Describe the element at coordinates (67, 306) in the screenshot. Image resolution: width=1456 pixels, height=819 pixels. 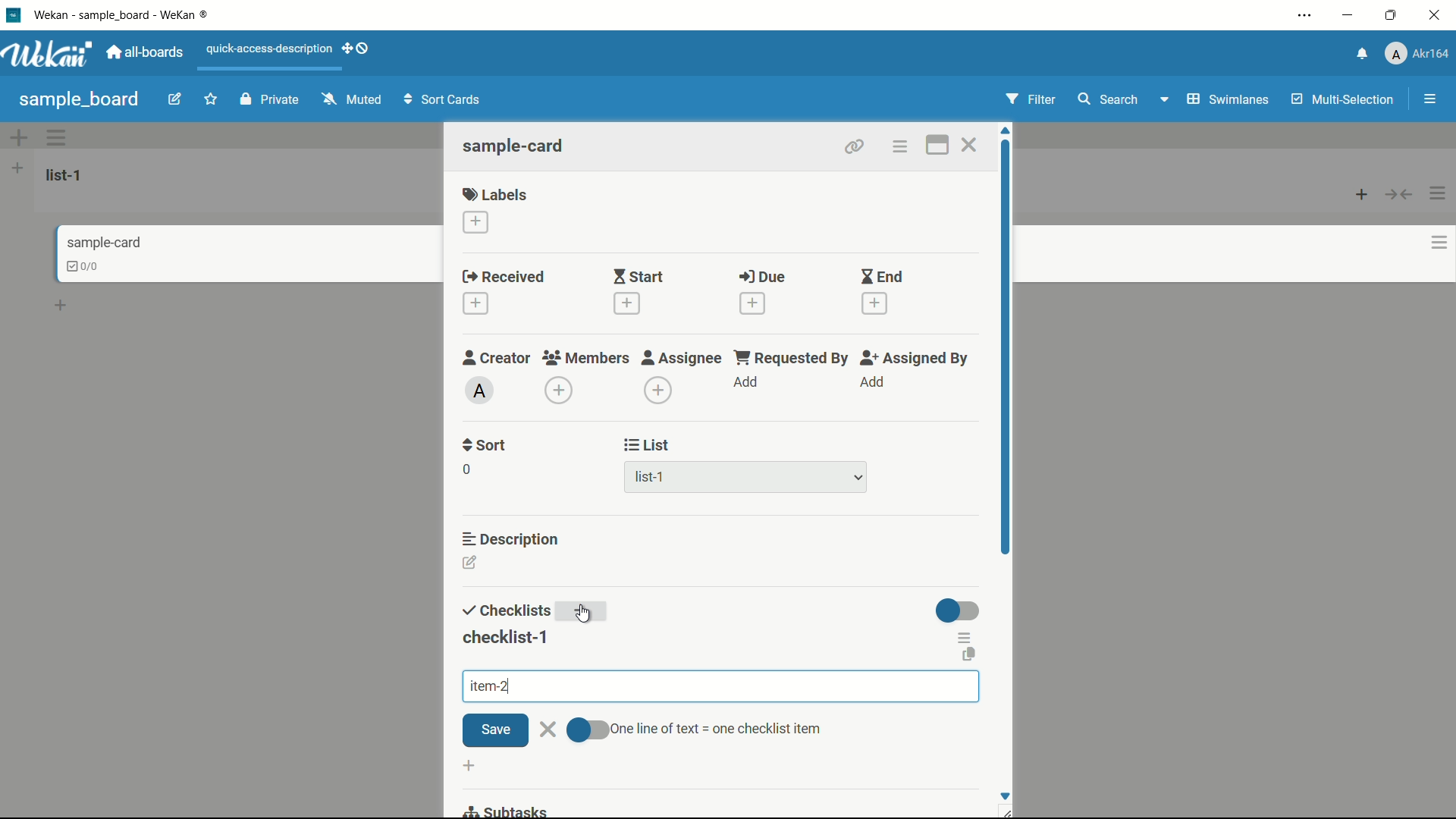
I see `add card bottom` at that location.